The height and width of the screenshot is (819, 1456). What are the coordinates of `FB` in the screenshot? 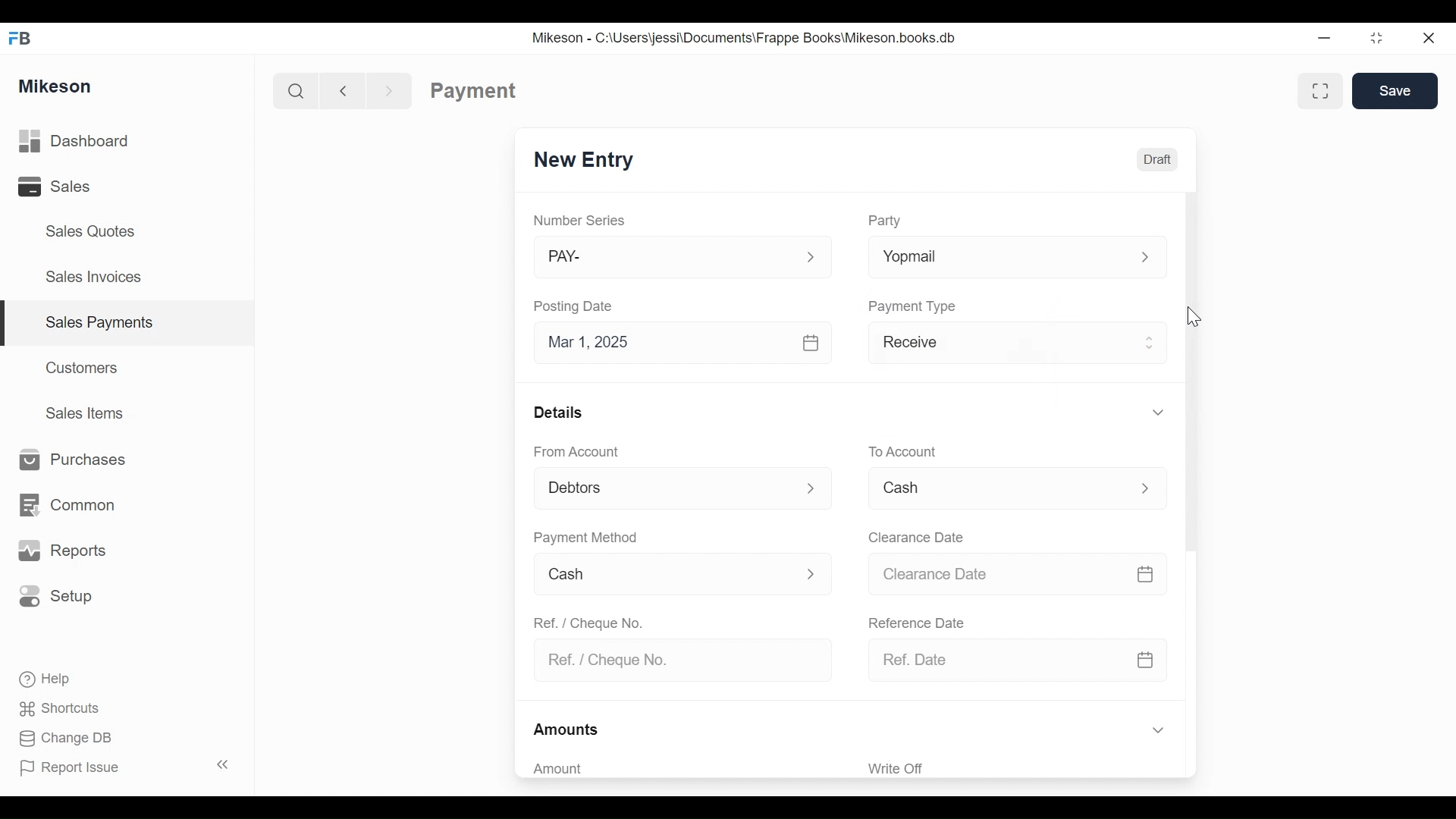 It's located at (24, 36).